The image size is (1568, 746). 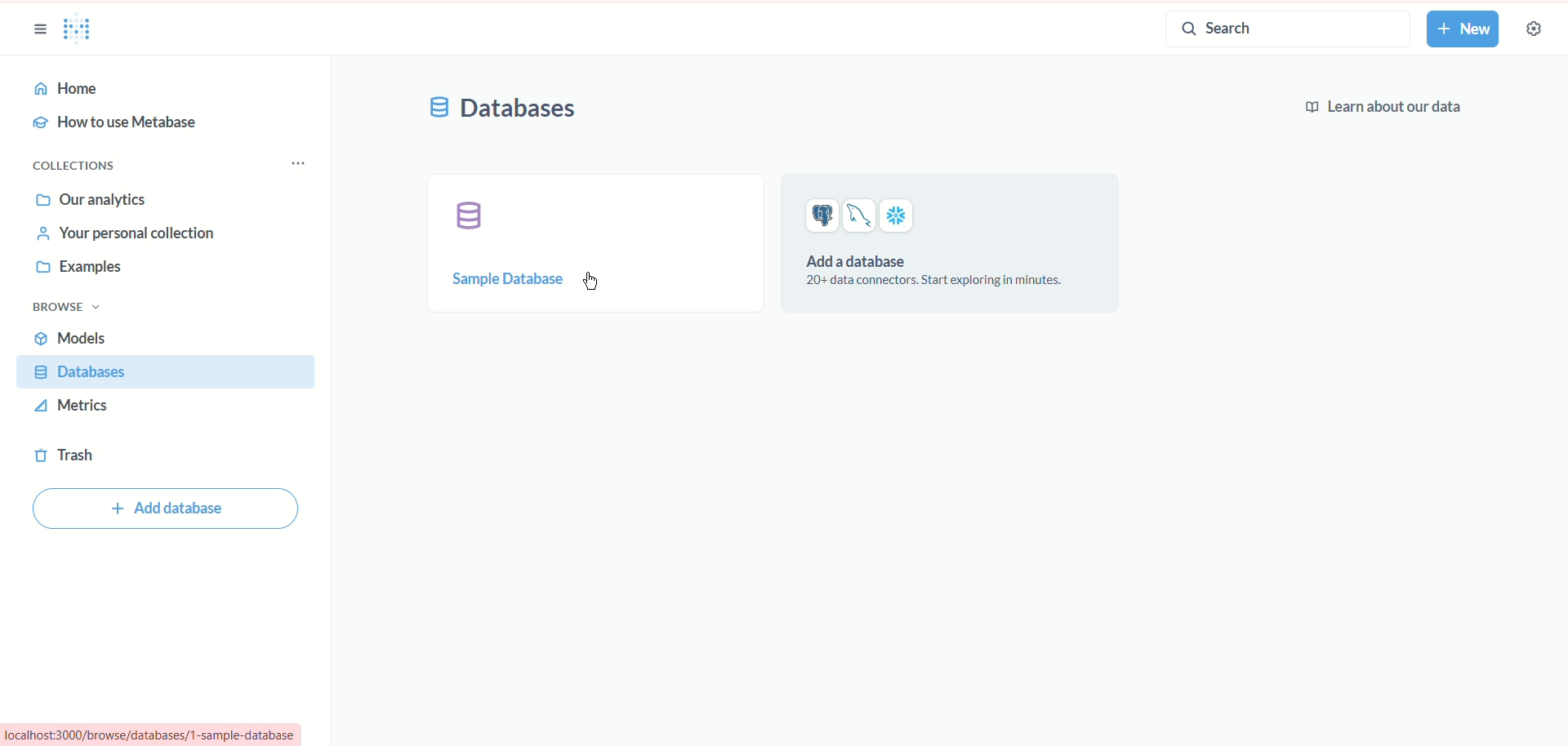 I want to click on Learn about our data, so click(x=1387, y=109).